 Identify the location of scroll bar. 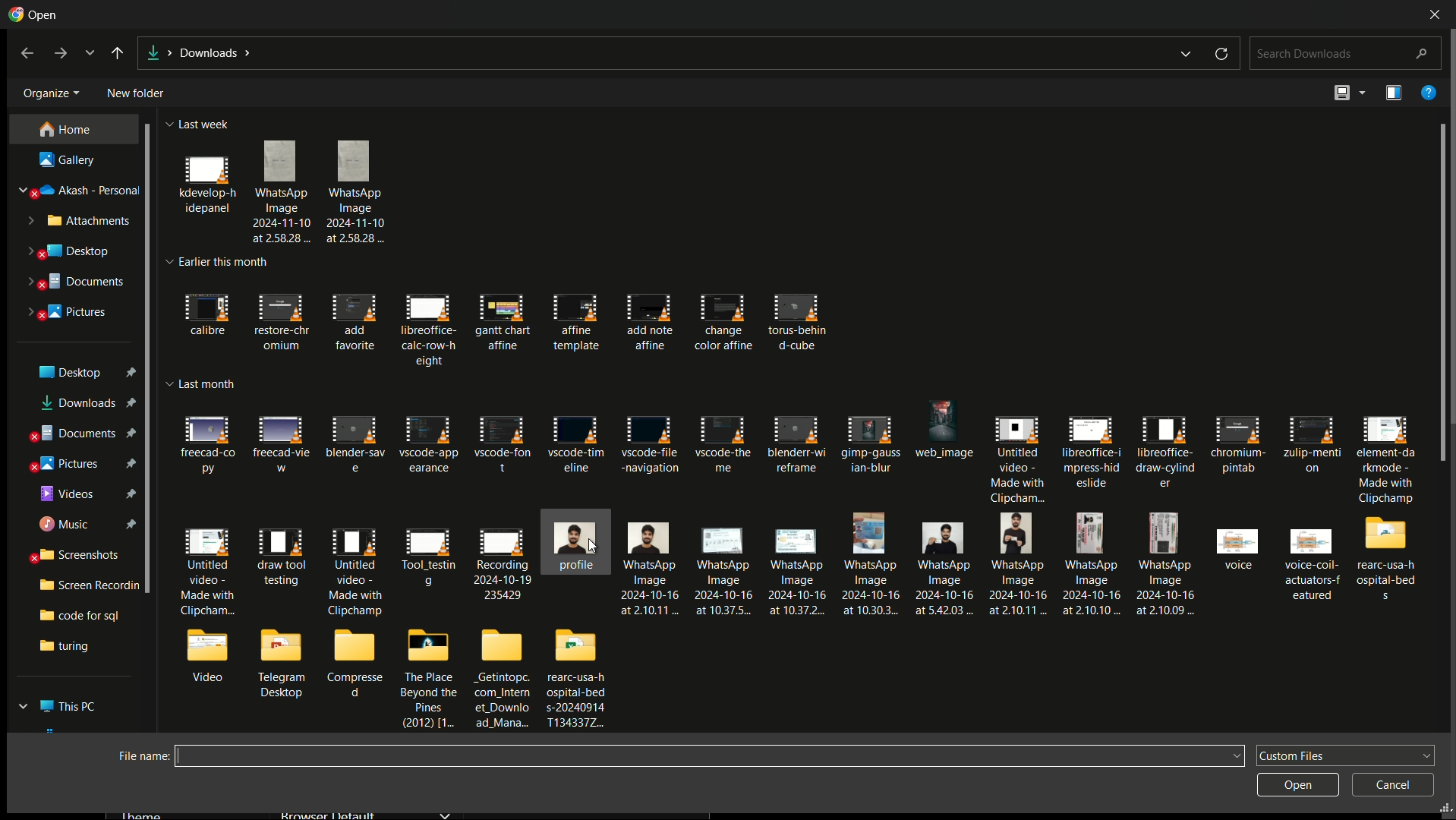
(1442, 294).